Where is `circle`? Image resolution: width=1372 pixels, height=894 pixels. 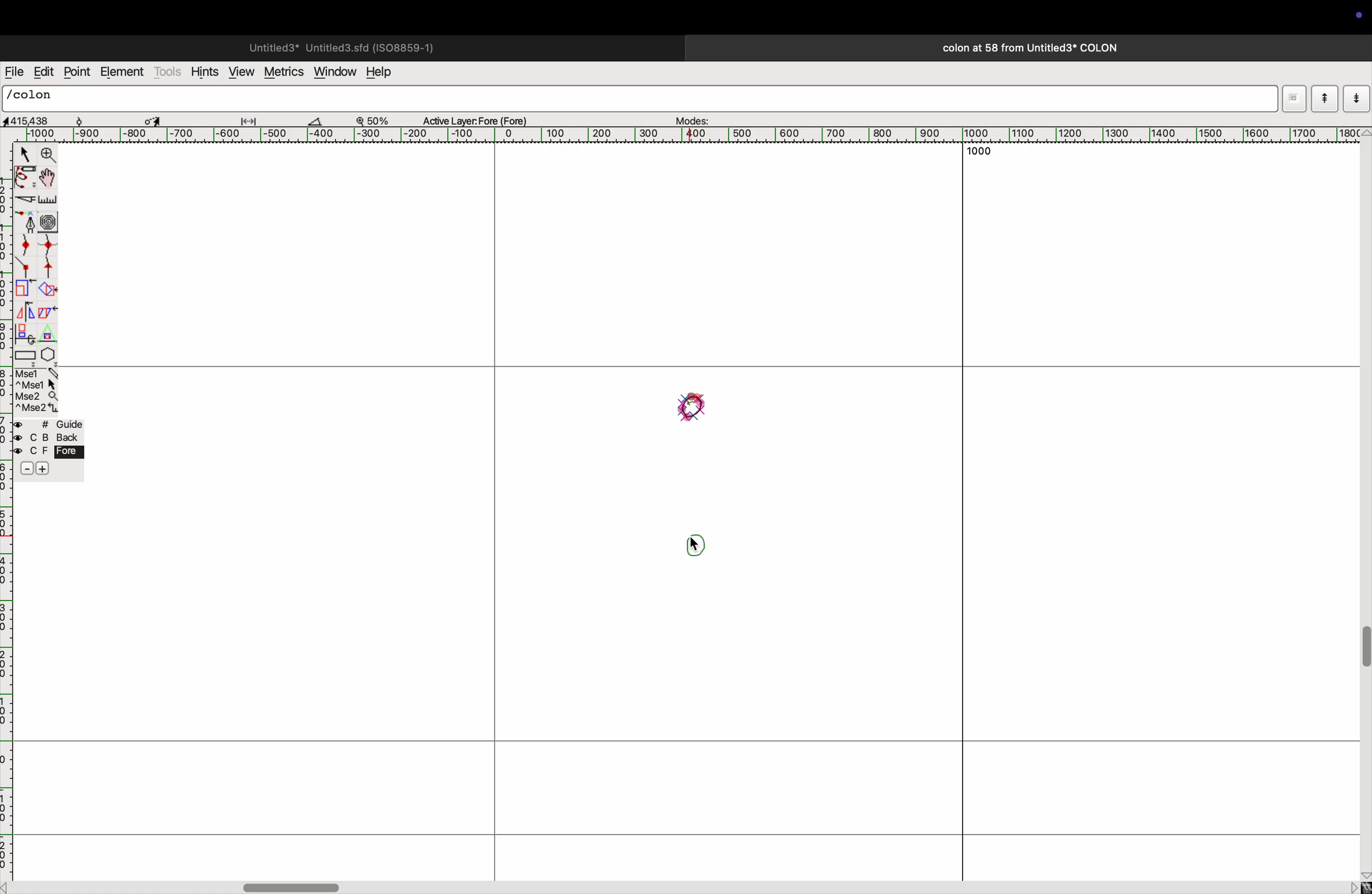
circle is located at coordinates (692, 407).